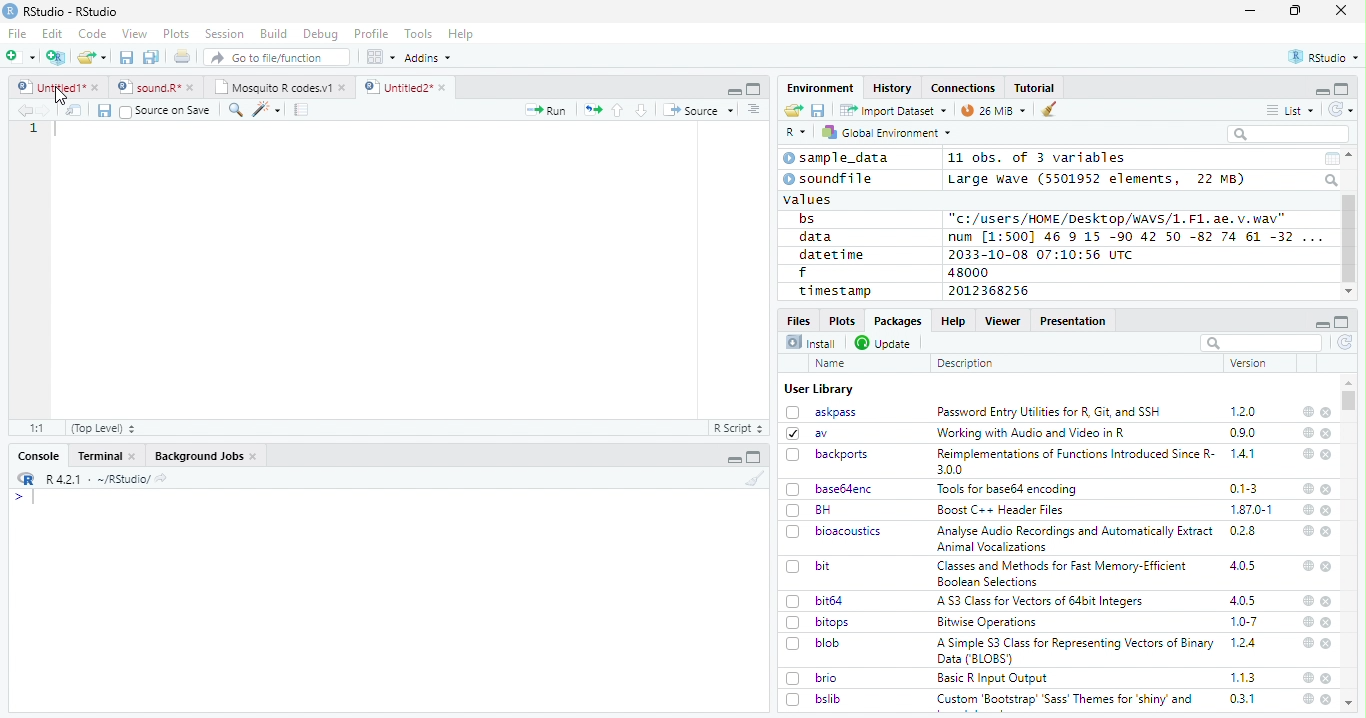  Describe the element at coordinates (1259, 342) in the screenshot. I see `search bar` at that location.